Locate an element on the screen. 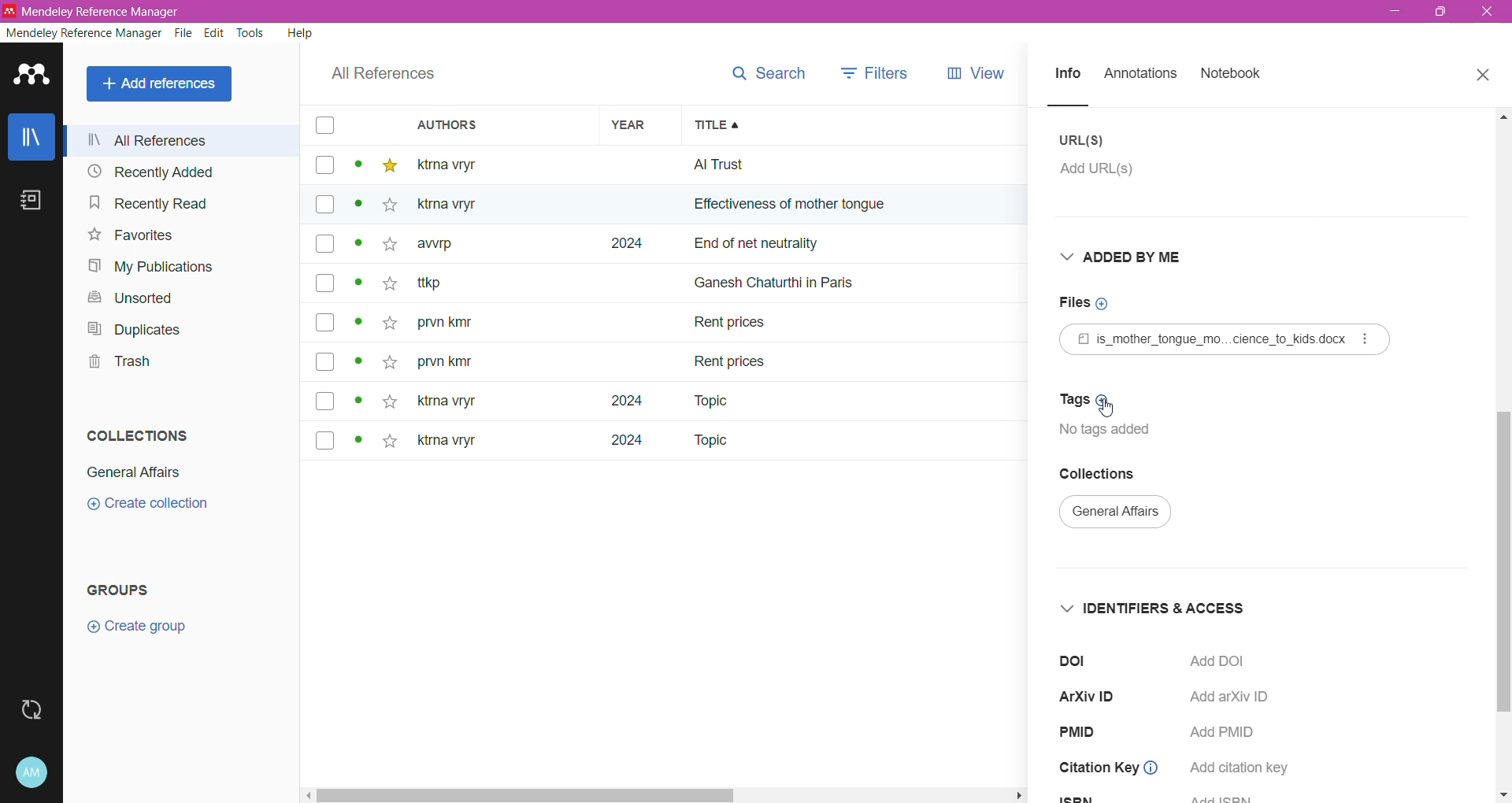 The height and width of the screenshot is (803, 1512). end of net neutrally  is located at coordinates (862, 246).